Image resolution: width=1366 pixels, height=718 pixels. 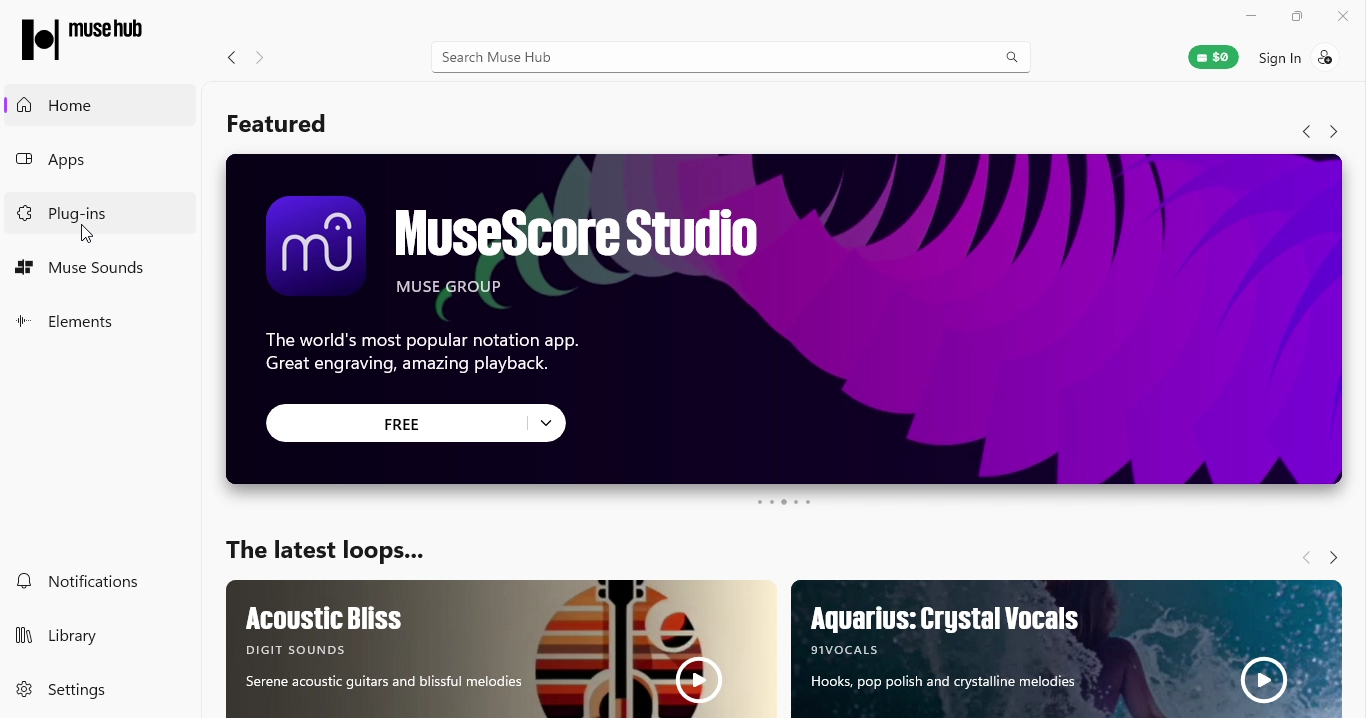 I want to click on Acoustic bliss ad, so click(x=504, y=649).